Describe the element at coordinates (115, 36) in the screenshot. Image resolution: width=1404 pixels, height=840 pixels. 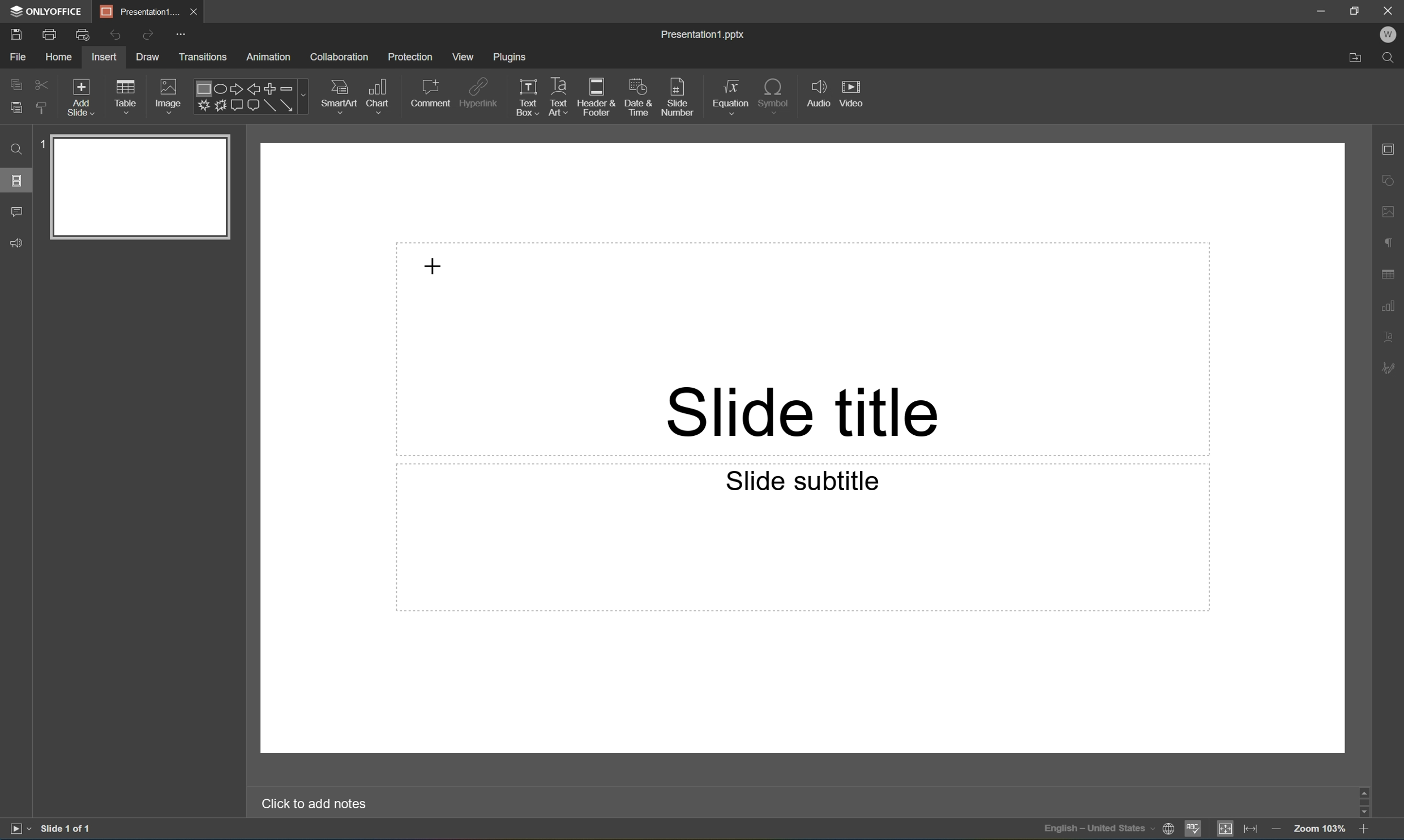
I see `Undo` at that location.